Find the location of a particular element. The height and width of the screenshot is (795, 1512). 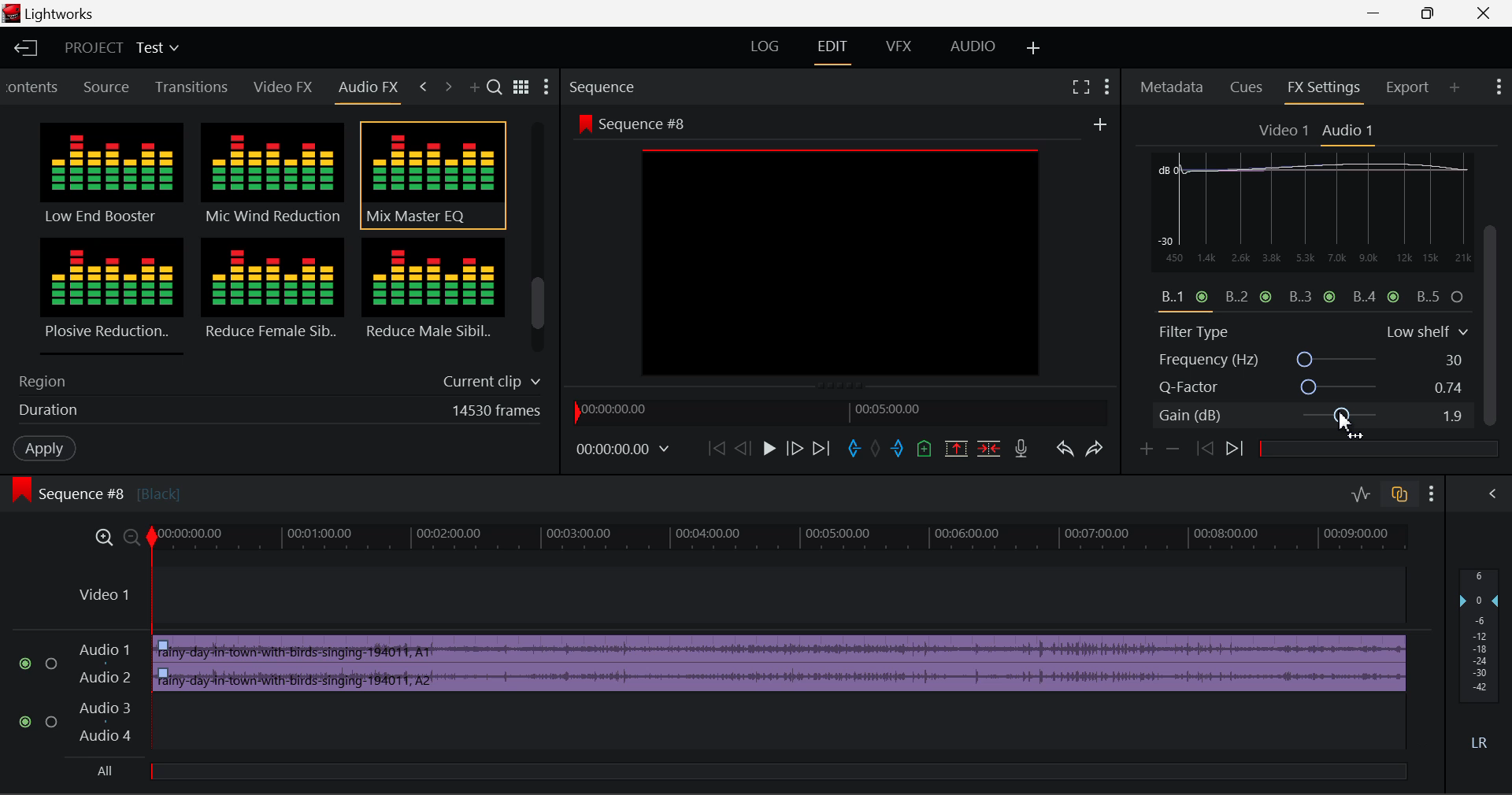

Timeline Zoom In is located at coordinates (106, 538).